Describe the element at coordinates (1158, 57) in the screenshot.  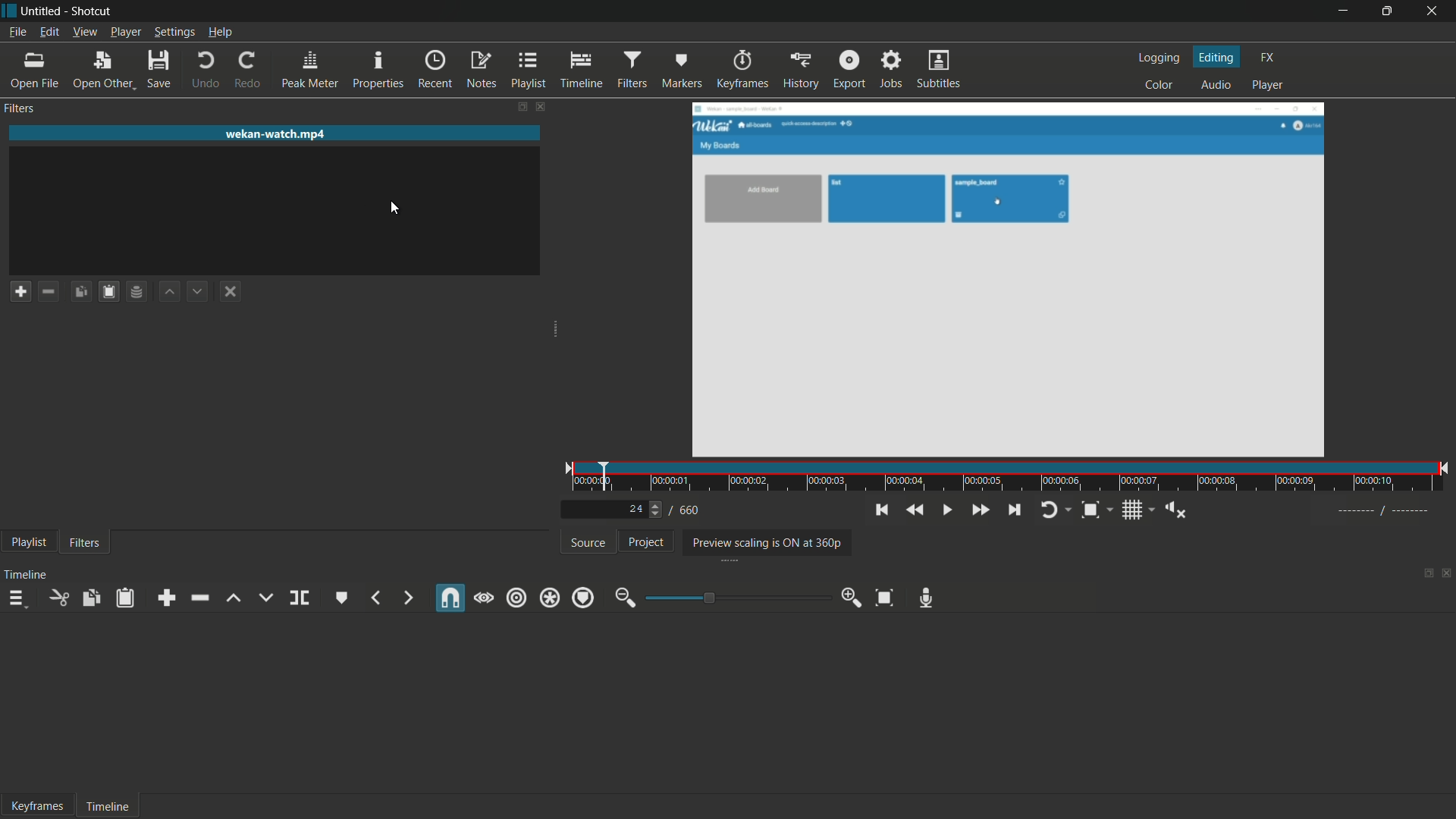
I see `logging` at that location.